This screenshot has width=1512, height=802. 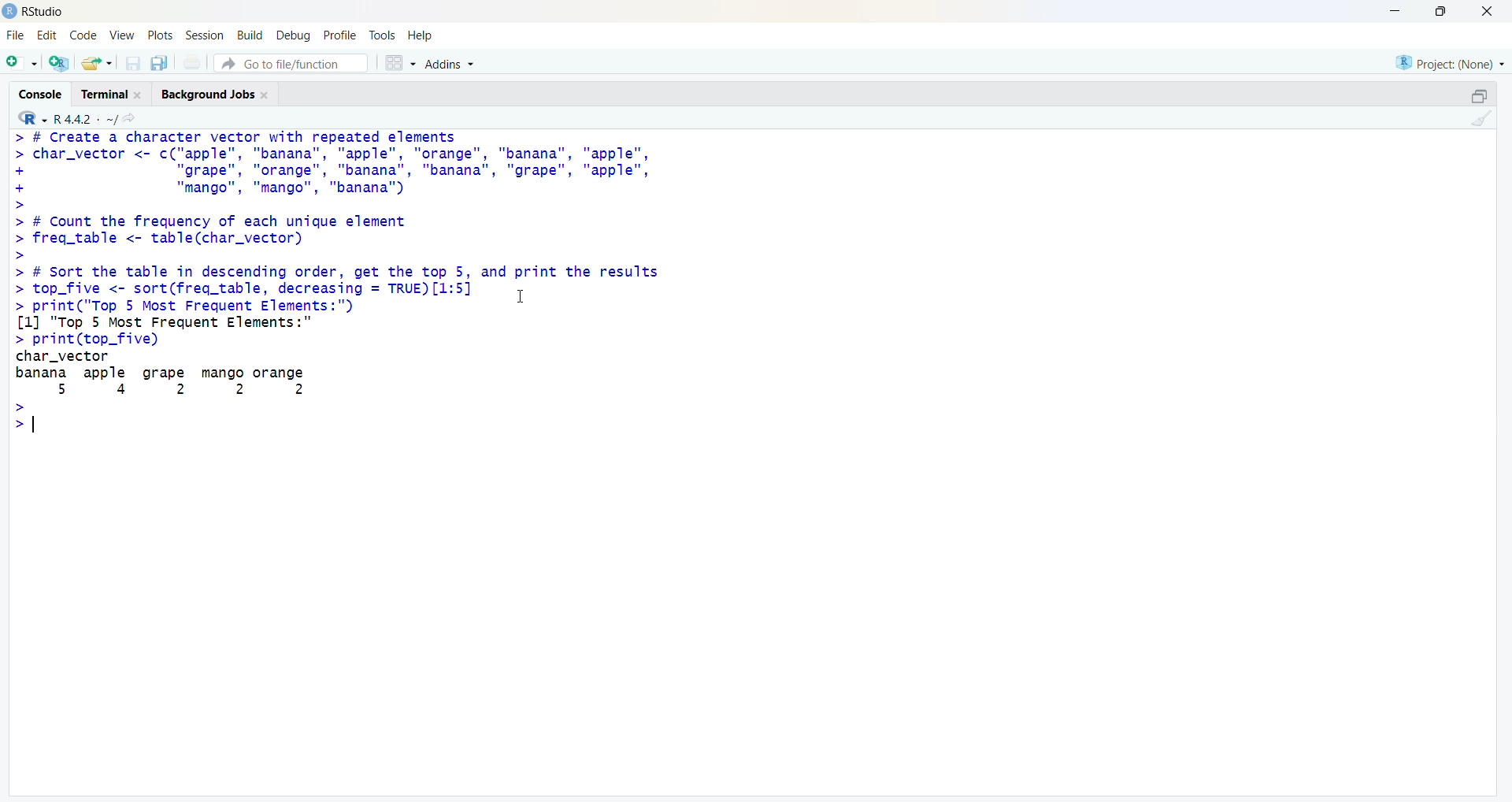 What do you see at coordinates (20, 64) in the screenshot?
I see `New File` at bounding box center [20, 64].